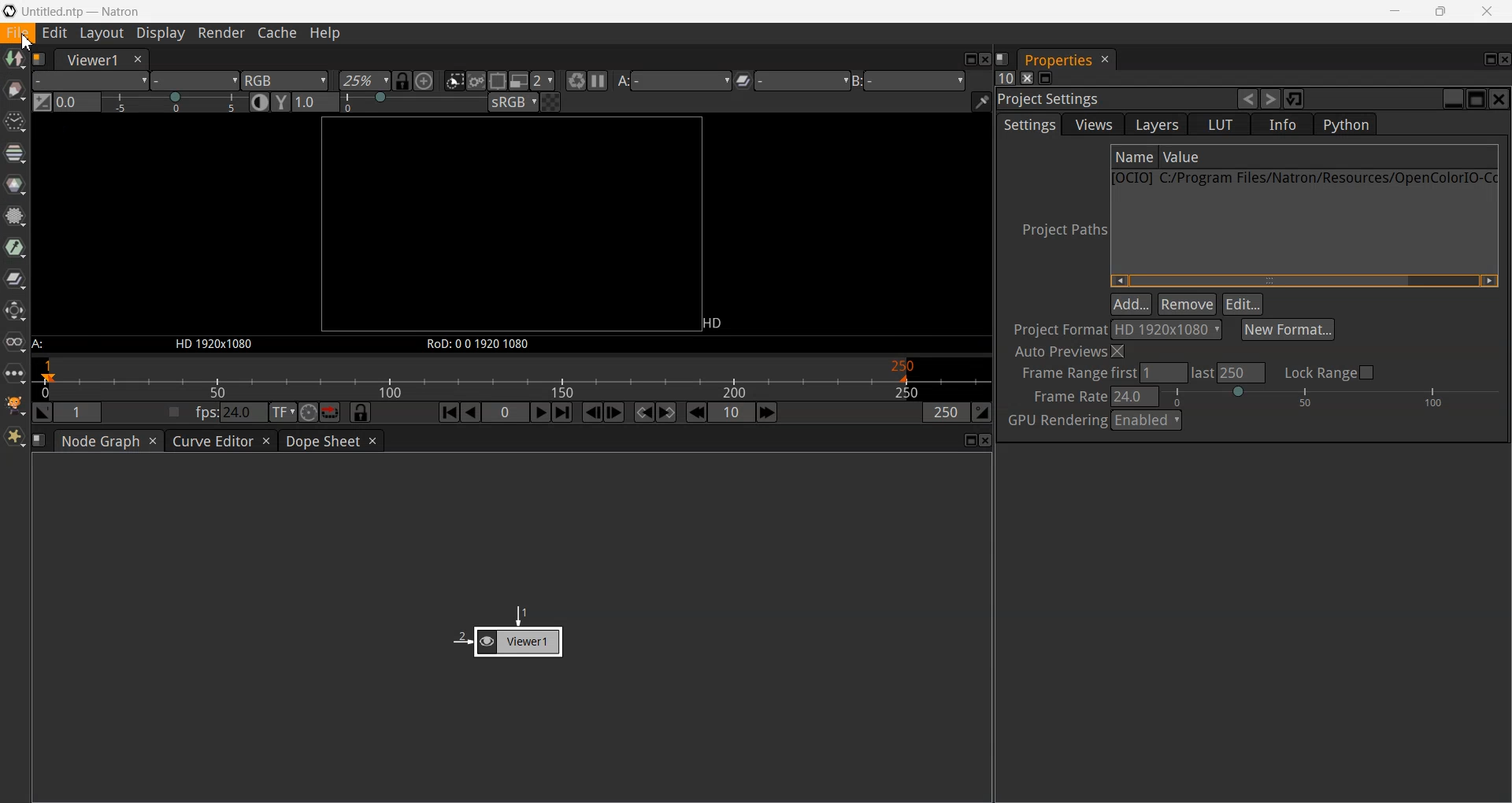  I want to click on Lock Timeline, so click(361, 412).